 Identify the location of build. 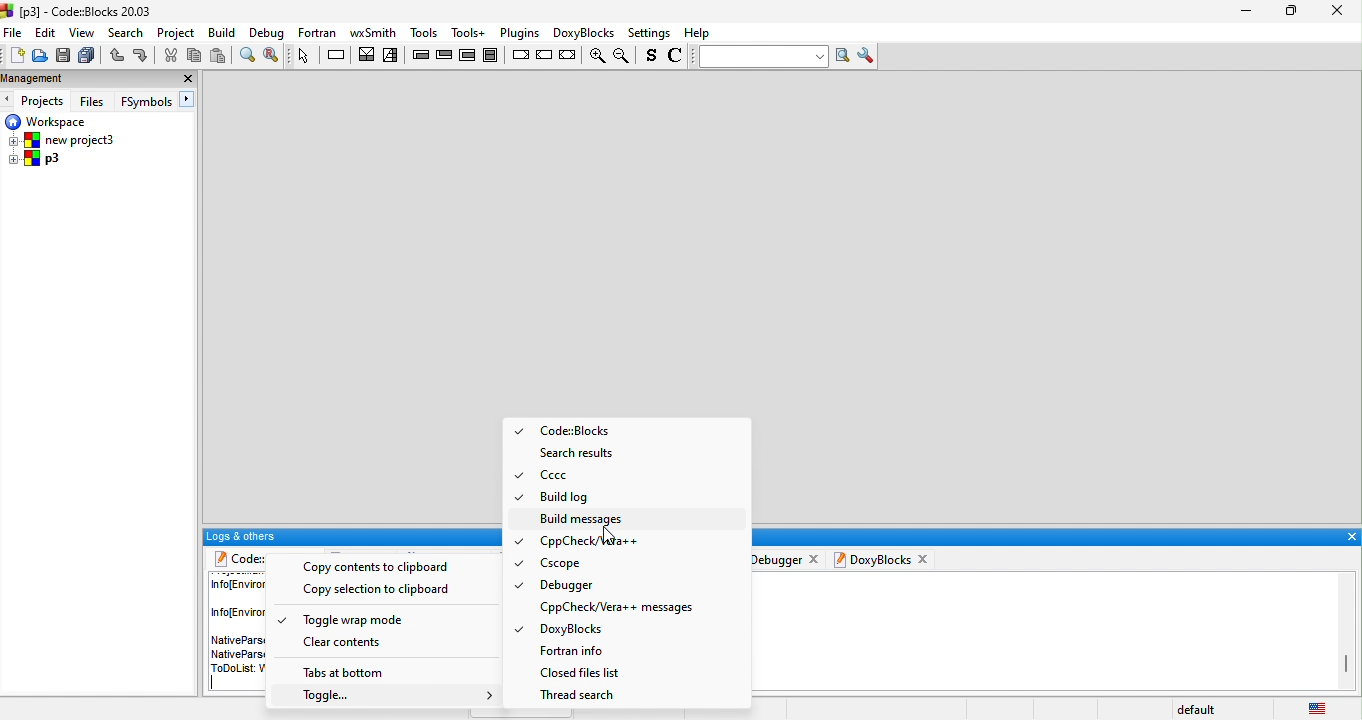
(223, 32).